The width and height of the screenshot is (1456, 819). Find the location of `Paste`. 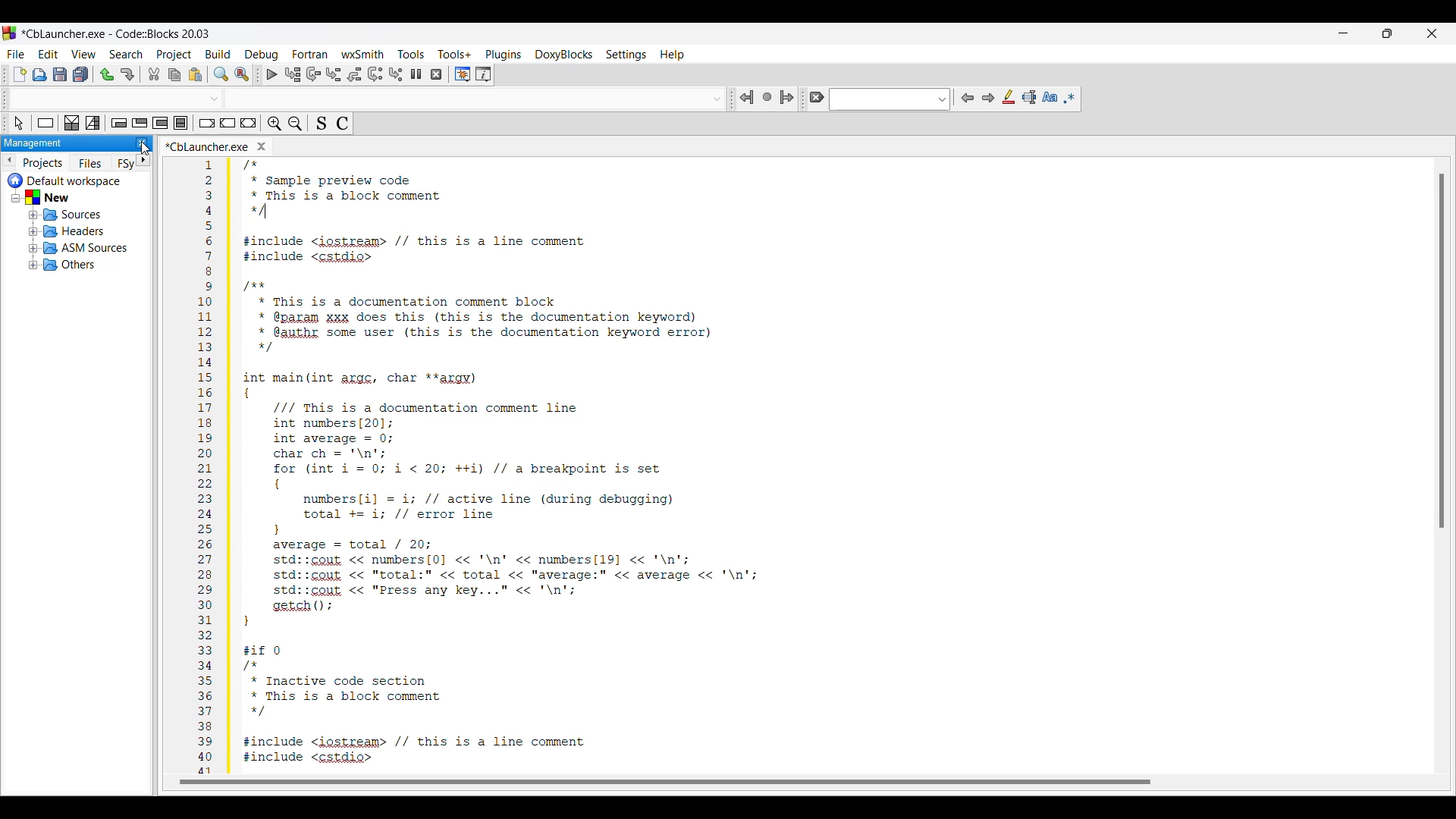

Paste is located at coordinates (195, 74).